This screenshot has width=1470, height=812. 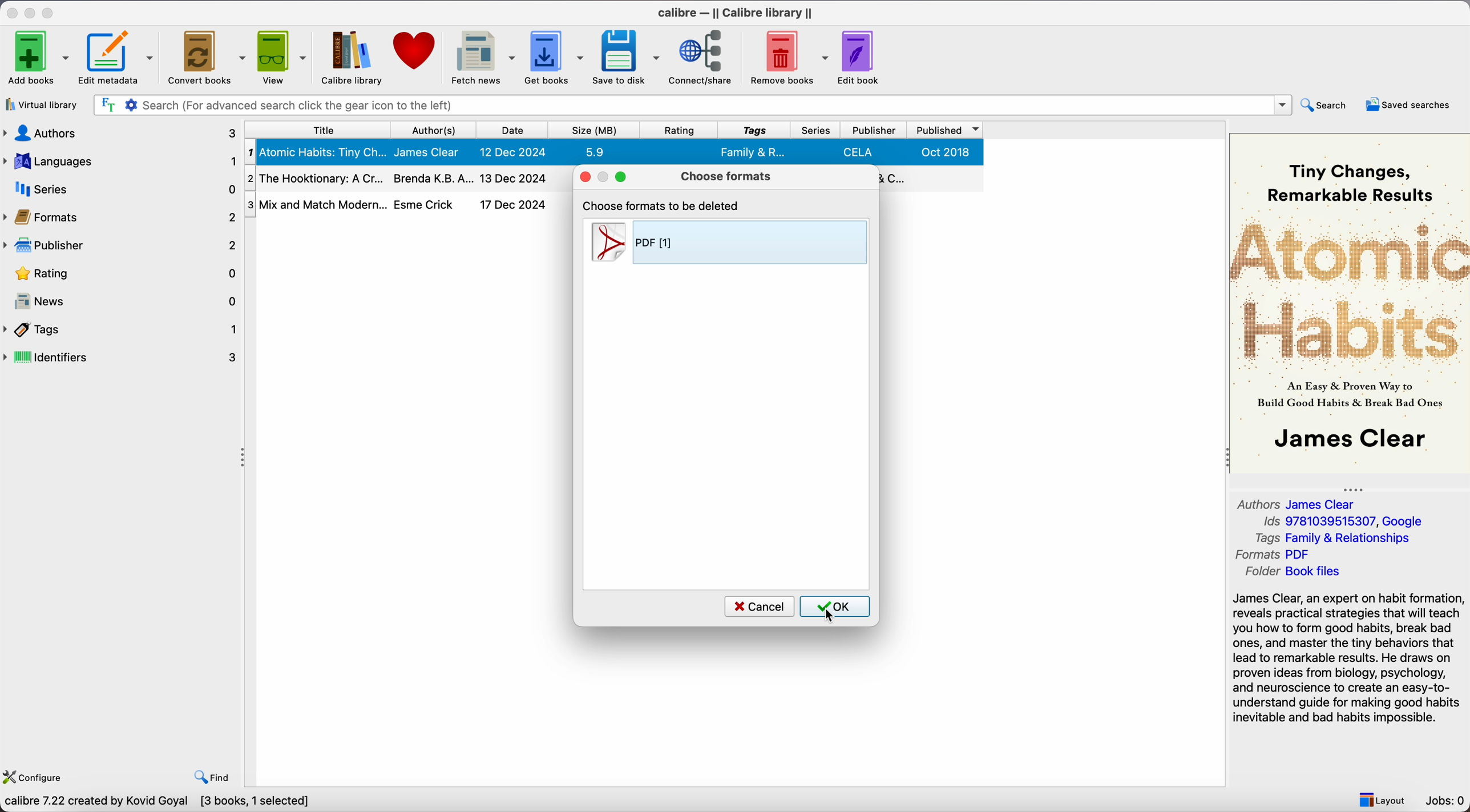 What do you see at coordinates (435, 129) in the screenshot?
I see `author(s)` at bounding box center [435, 129].